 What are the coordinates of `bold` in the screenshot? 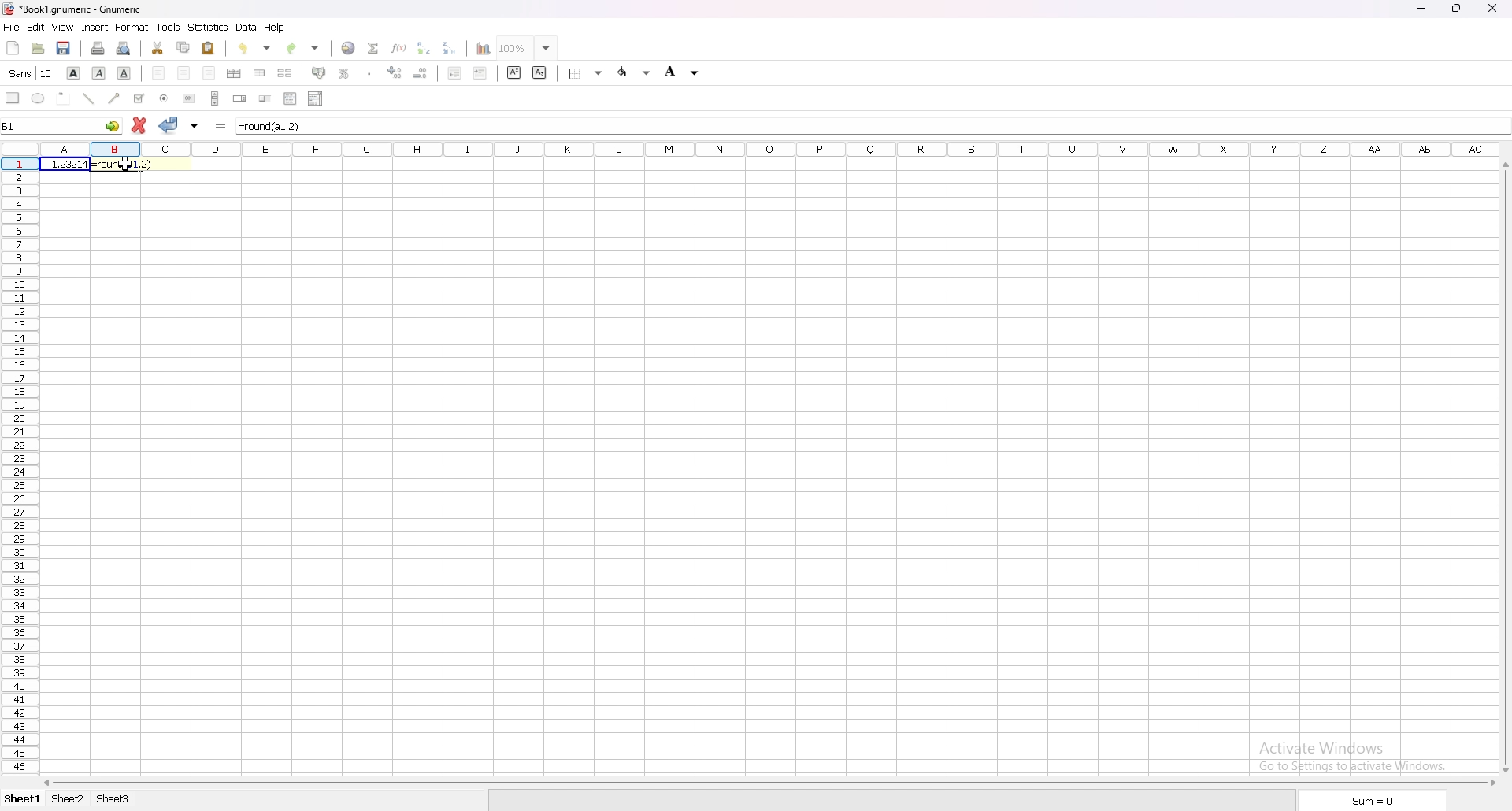 It's located at (74, 73).